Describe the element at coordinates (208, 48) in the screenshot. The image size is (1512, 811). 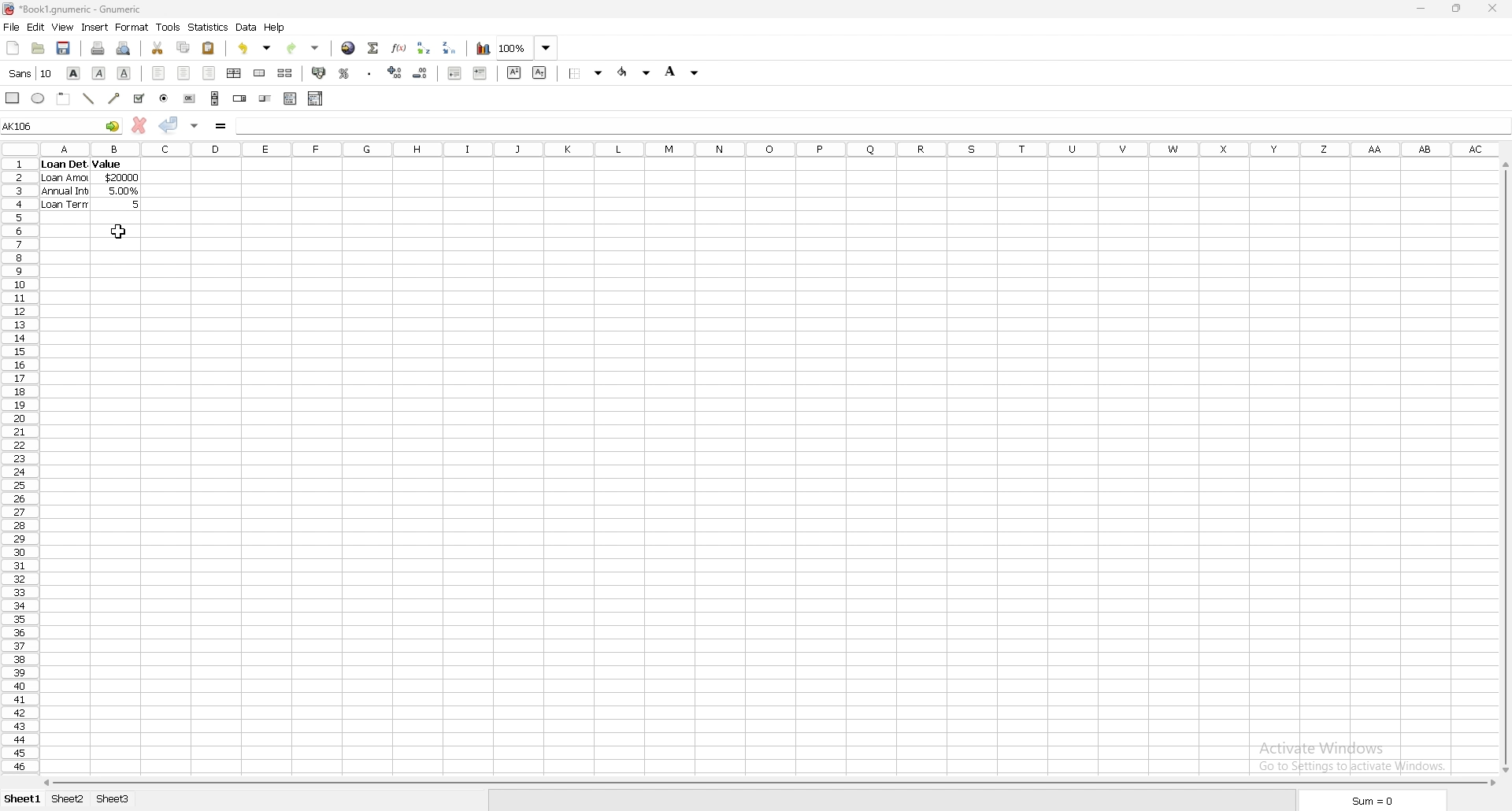
I see `paste` at that location.